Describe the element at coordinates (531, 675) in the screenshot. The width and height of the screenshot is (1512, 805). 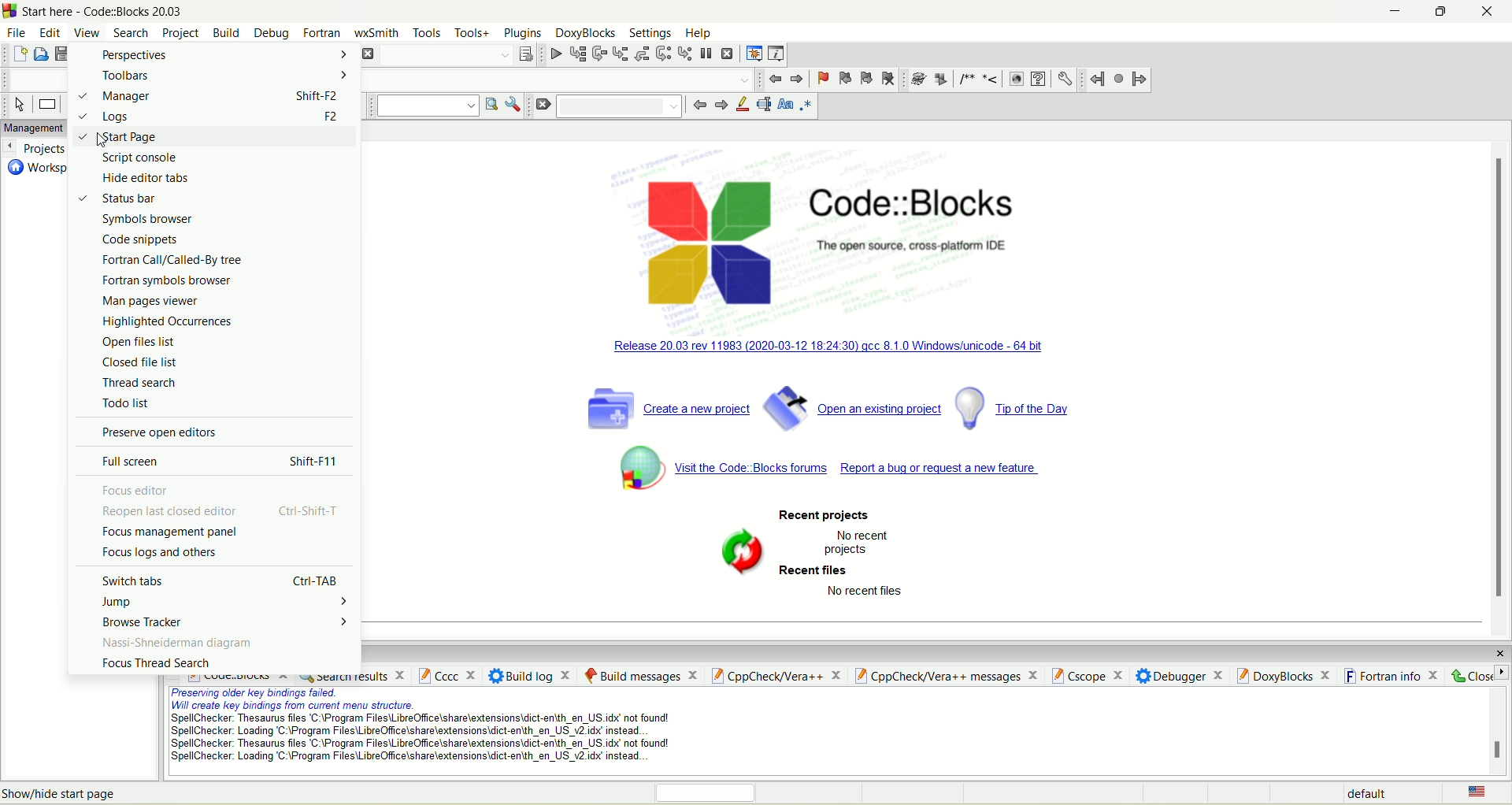
I see `build log` at that location.